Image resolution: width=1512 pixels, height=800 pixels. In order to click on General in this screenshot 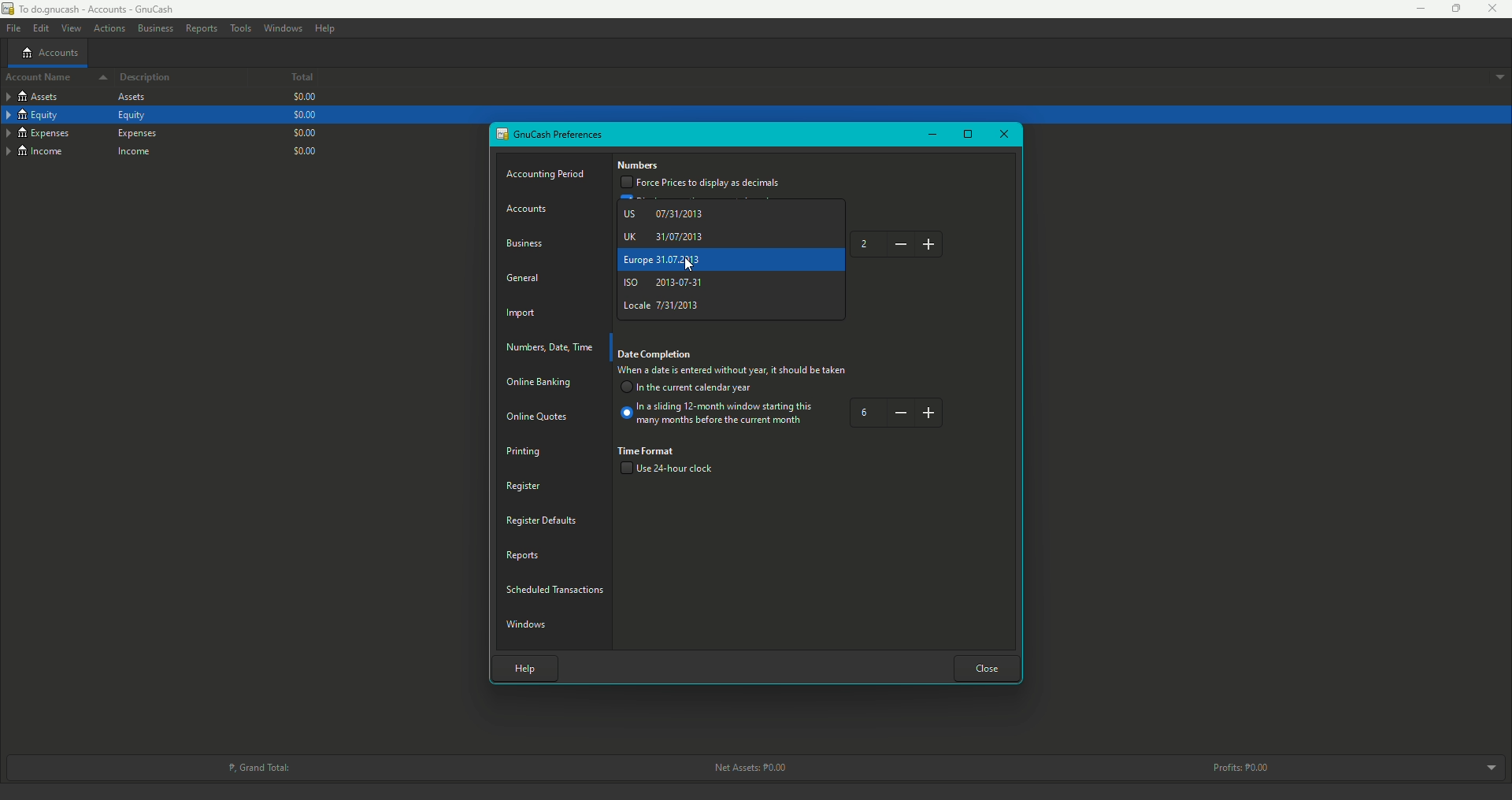, I will do `click(524, 276)`.